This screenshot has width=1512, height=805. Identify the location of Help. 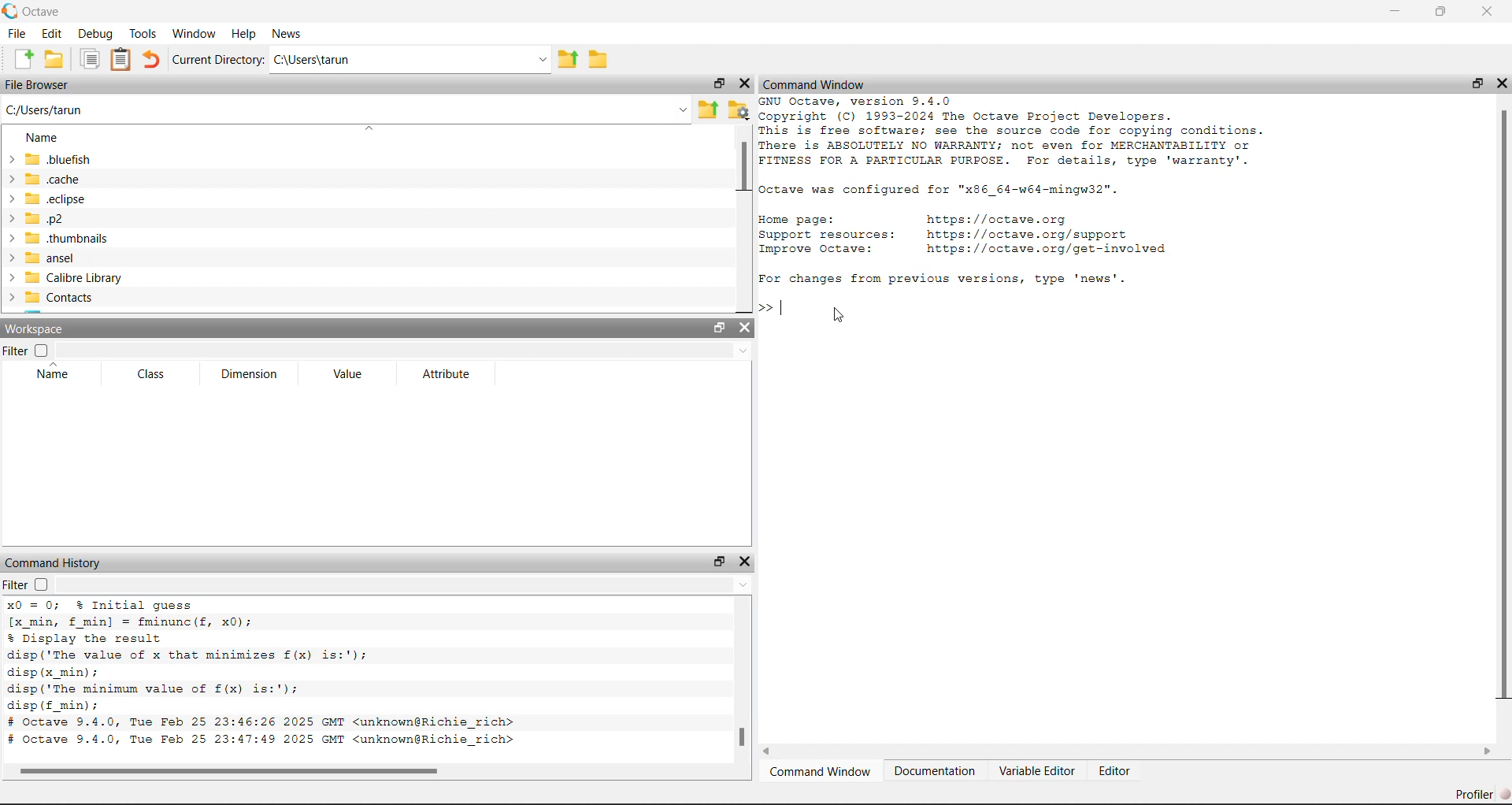
(242, 31).